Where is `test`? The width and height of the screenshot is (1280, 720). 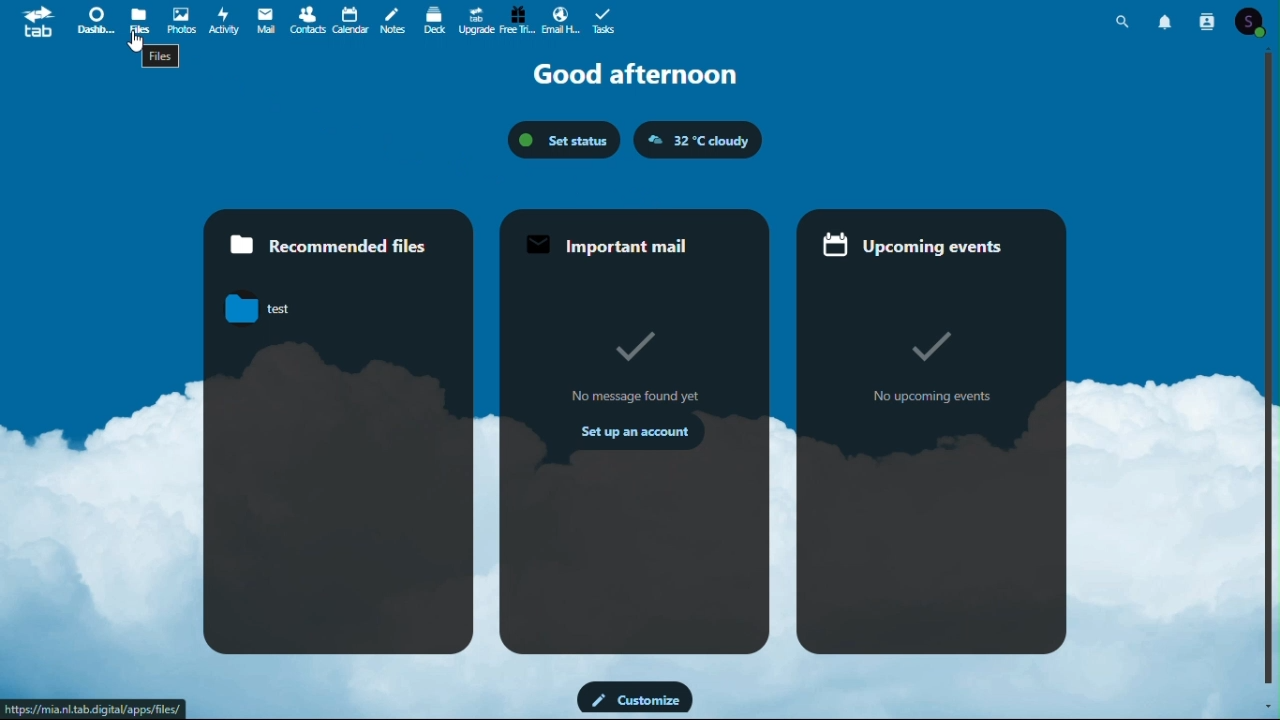
test is located at coordinates (268, 308).